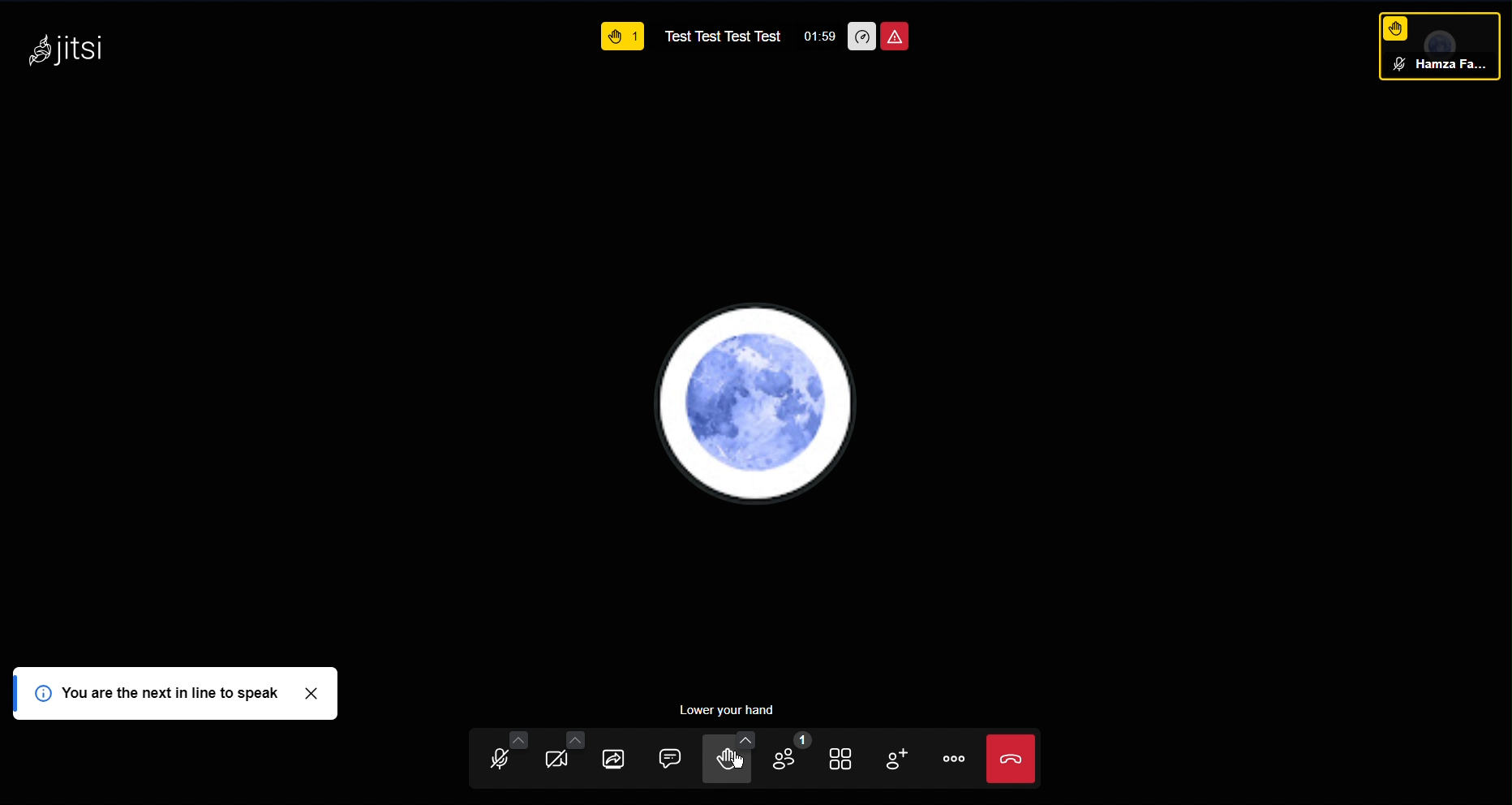  I want to click on pfp, so click(756, 403).